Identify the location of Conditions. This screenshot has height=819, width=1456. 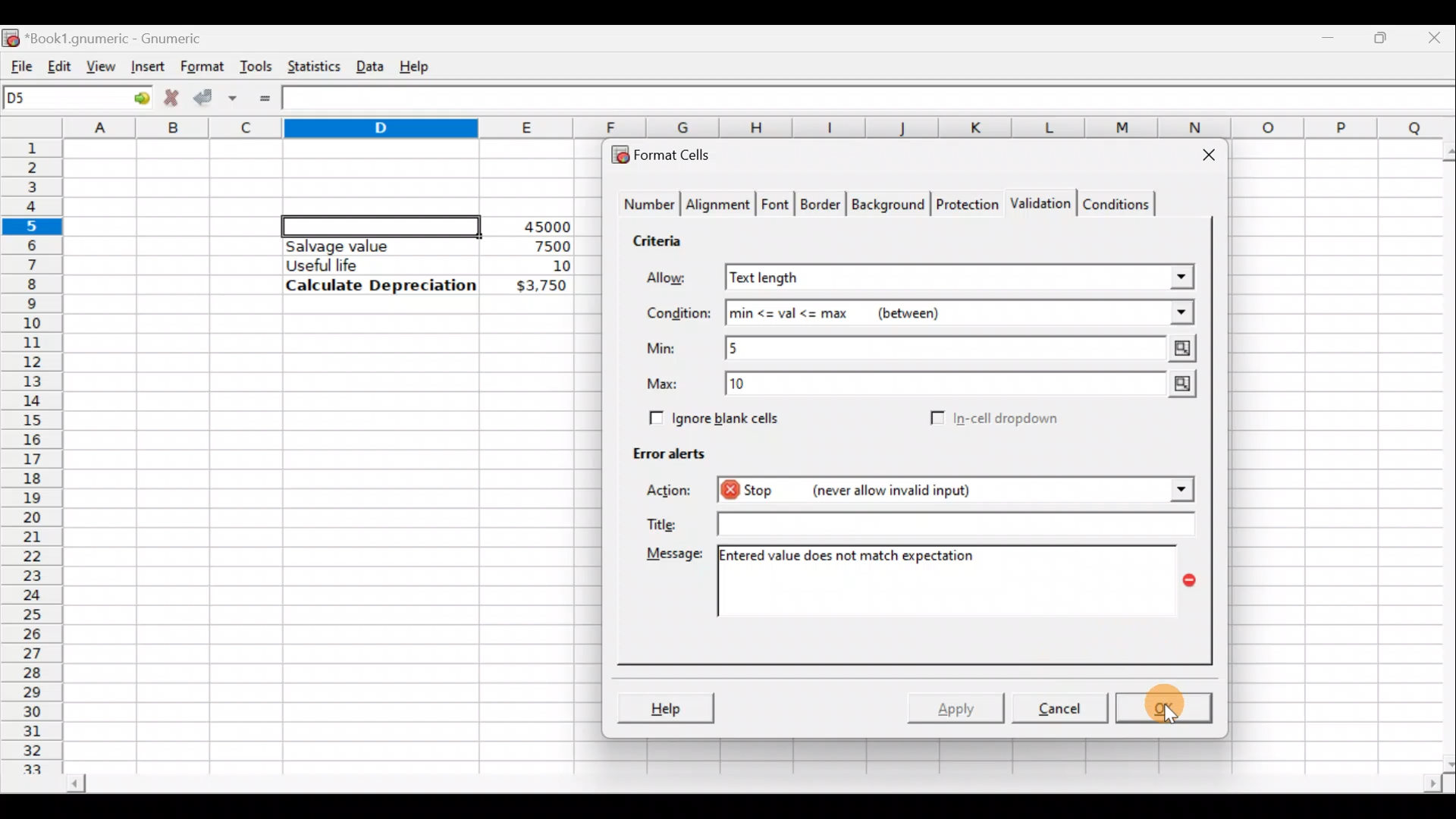
(1116, 203).